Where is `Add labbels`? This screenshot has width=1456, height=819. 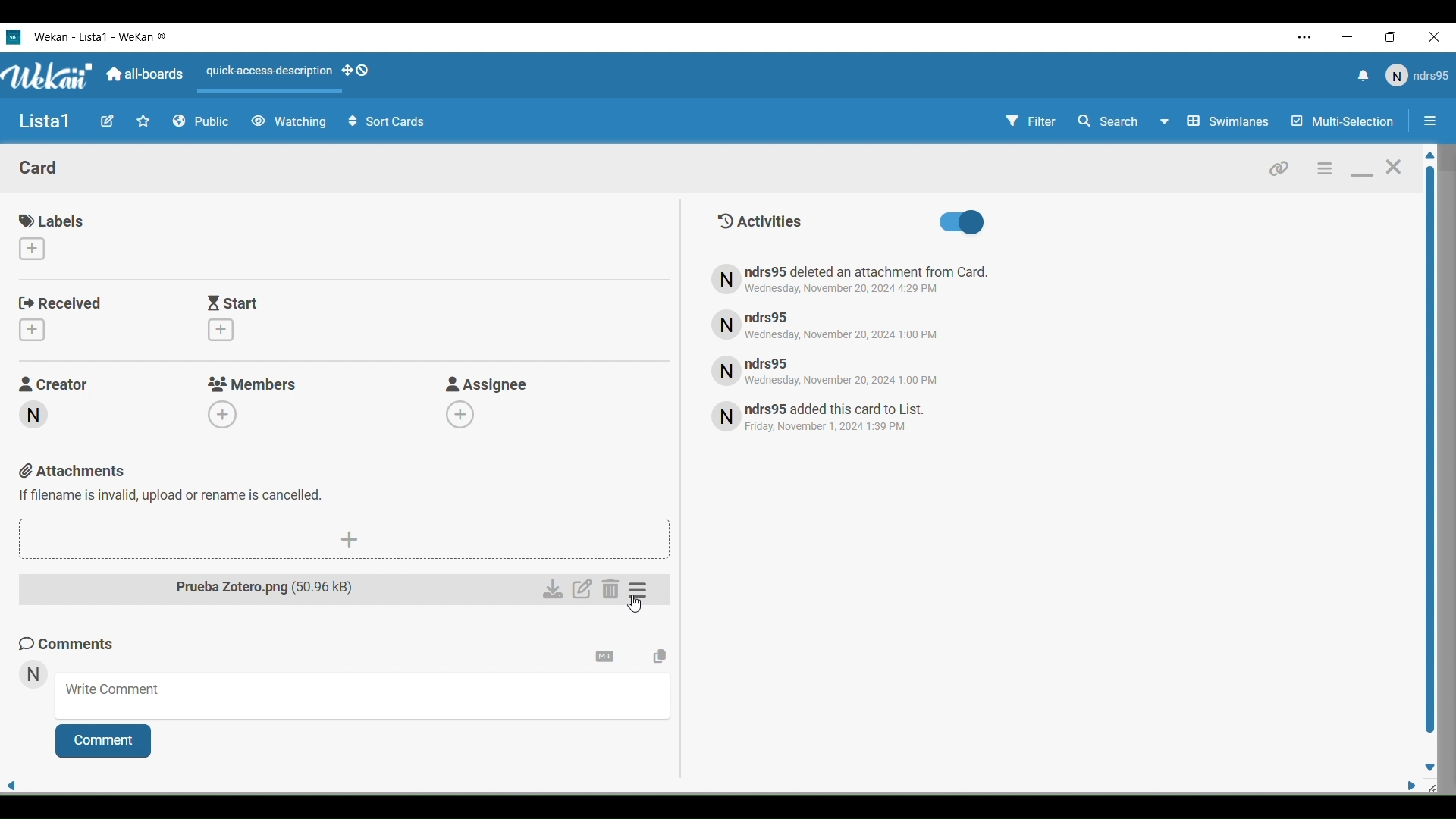 Add labbels is located at coordinates (31, 249).